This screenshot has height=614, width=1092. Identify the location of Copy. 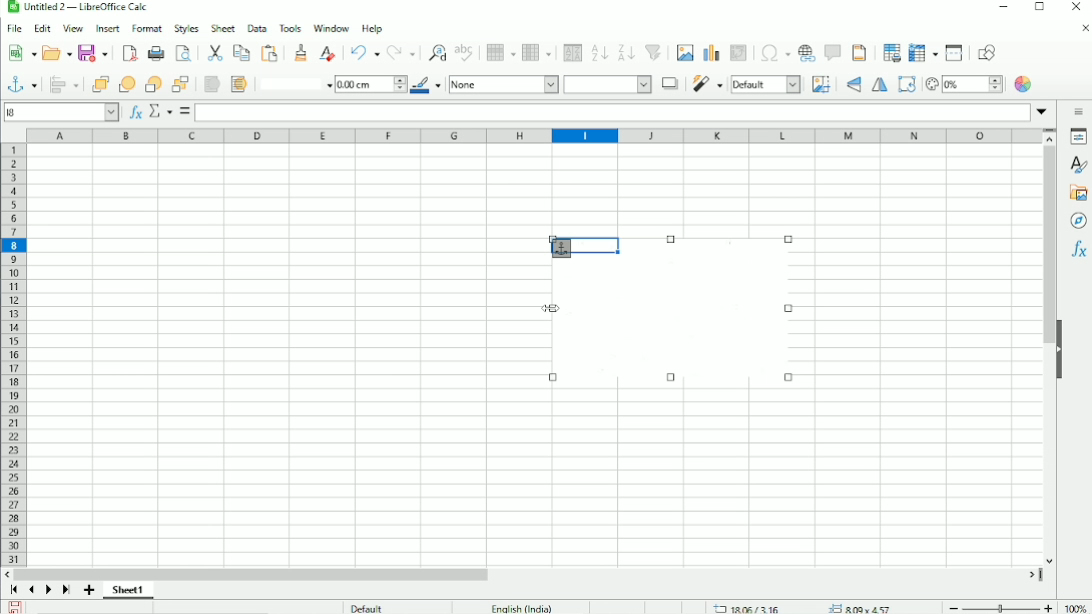
(241, 52).